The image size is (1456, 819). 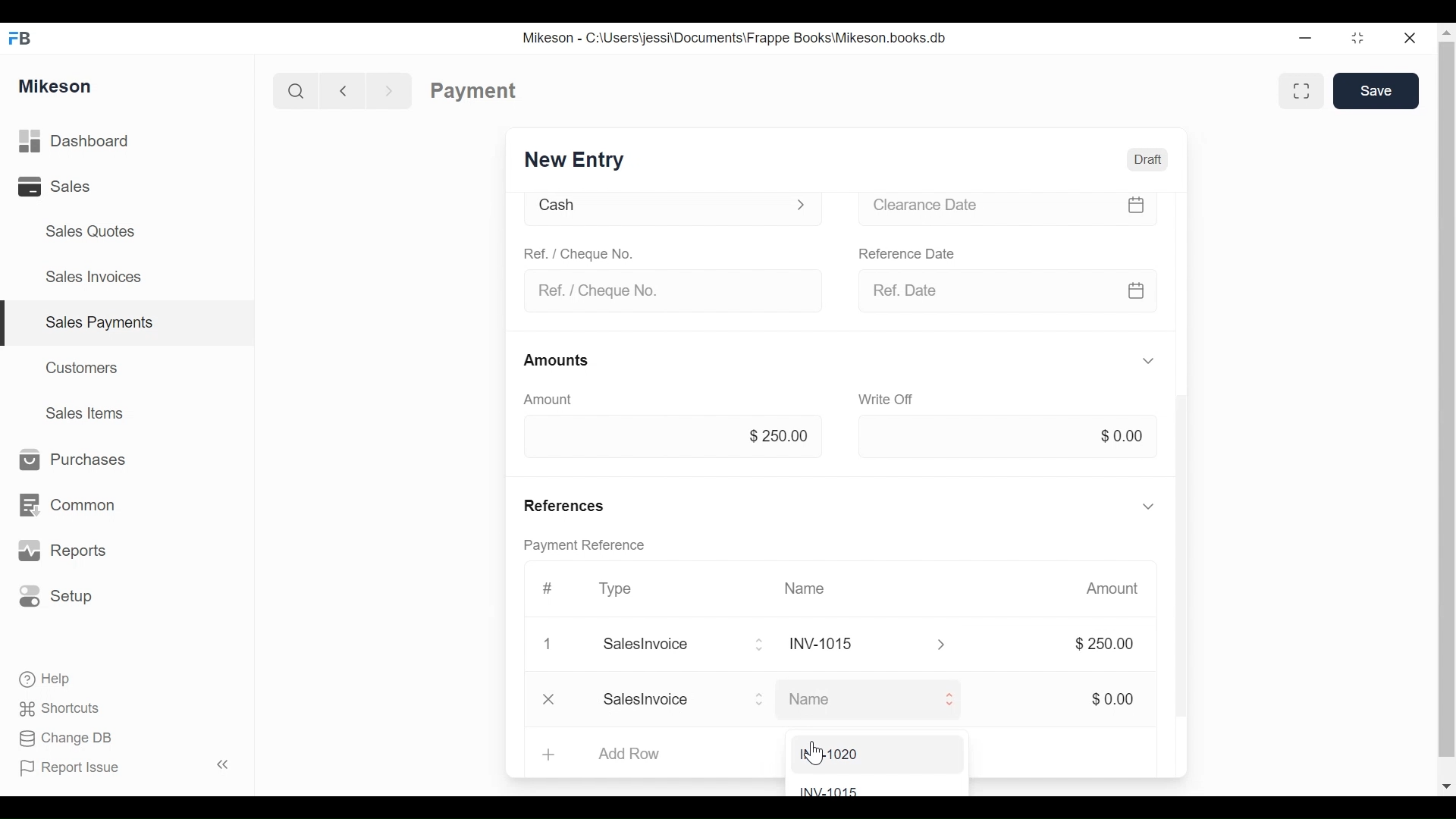 I want to click on Payment, so click(x=472, y=89).